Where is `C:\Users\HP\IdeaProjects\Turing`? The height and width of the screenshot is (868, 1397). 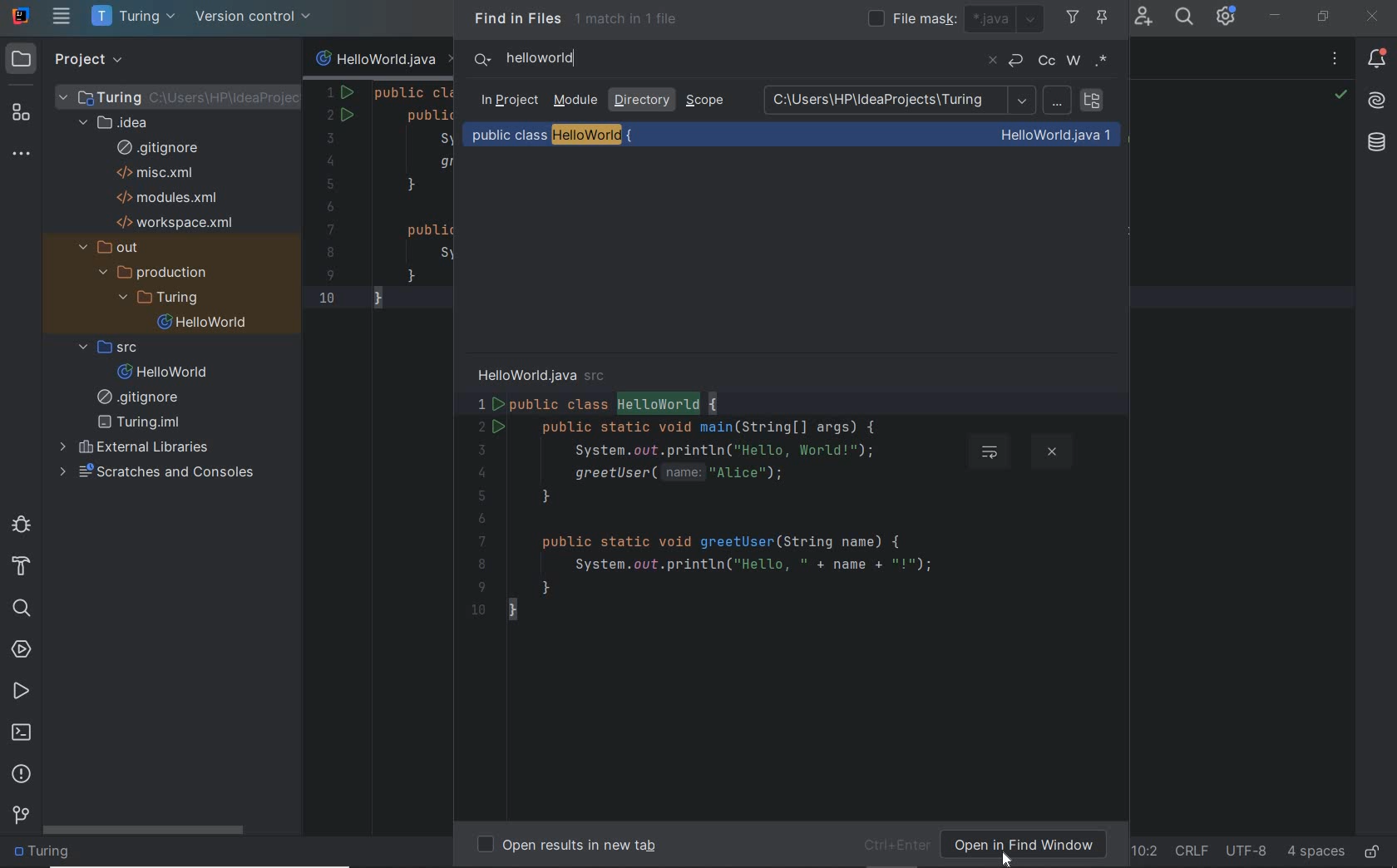 C:\Users\HP\IdeaProjects\Turing is located at coordinates (898, 99).